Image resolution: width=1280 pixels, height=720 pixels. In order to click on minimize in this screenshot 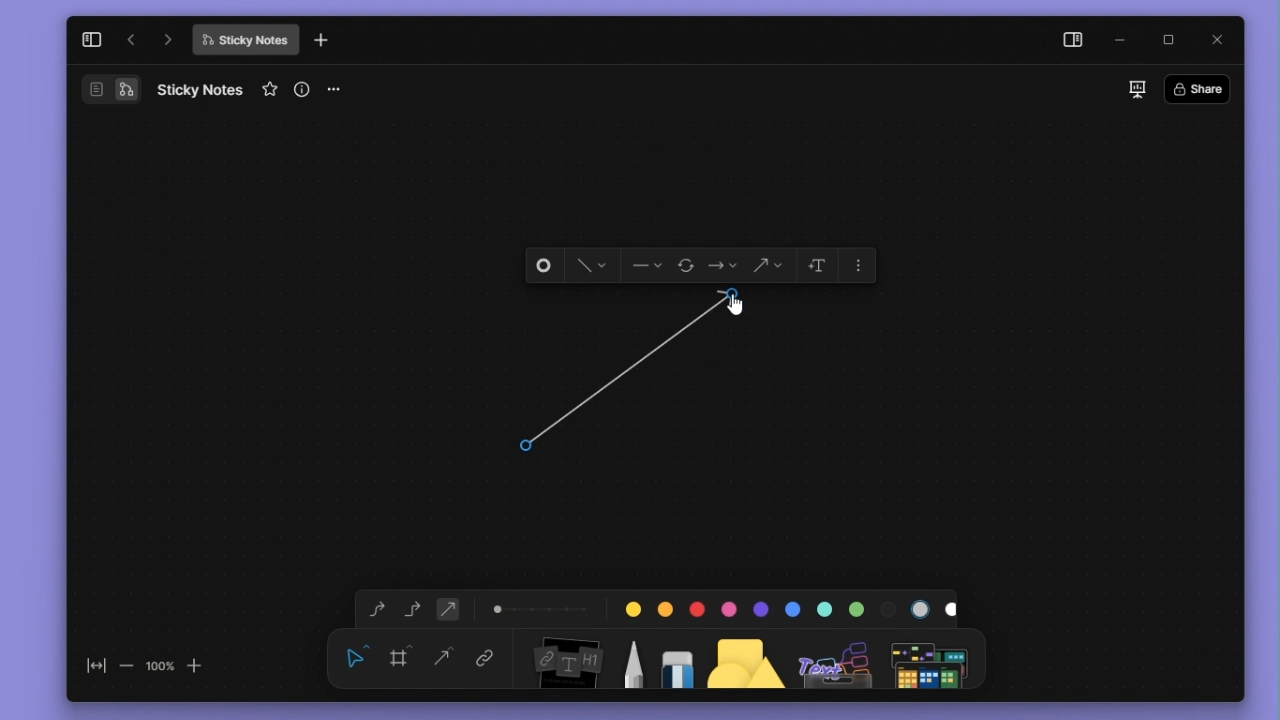, I will do `click(1125, 41)`.